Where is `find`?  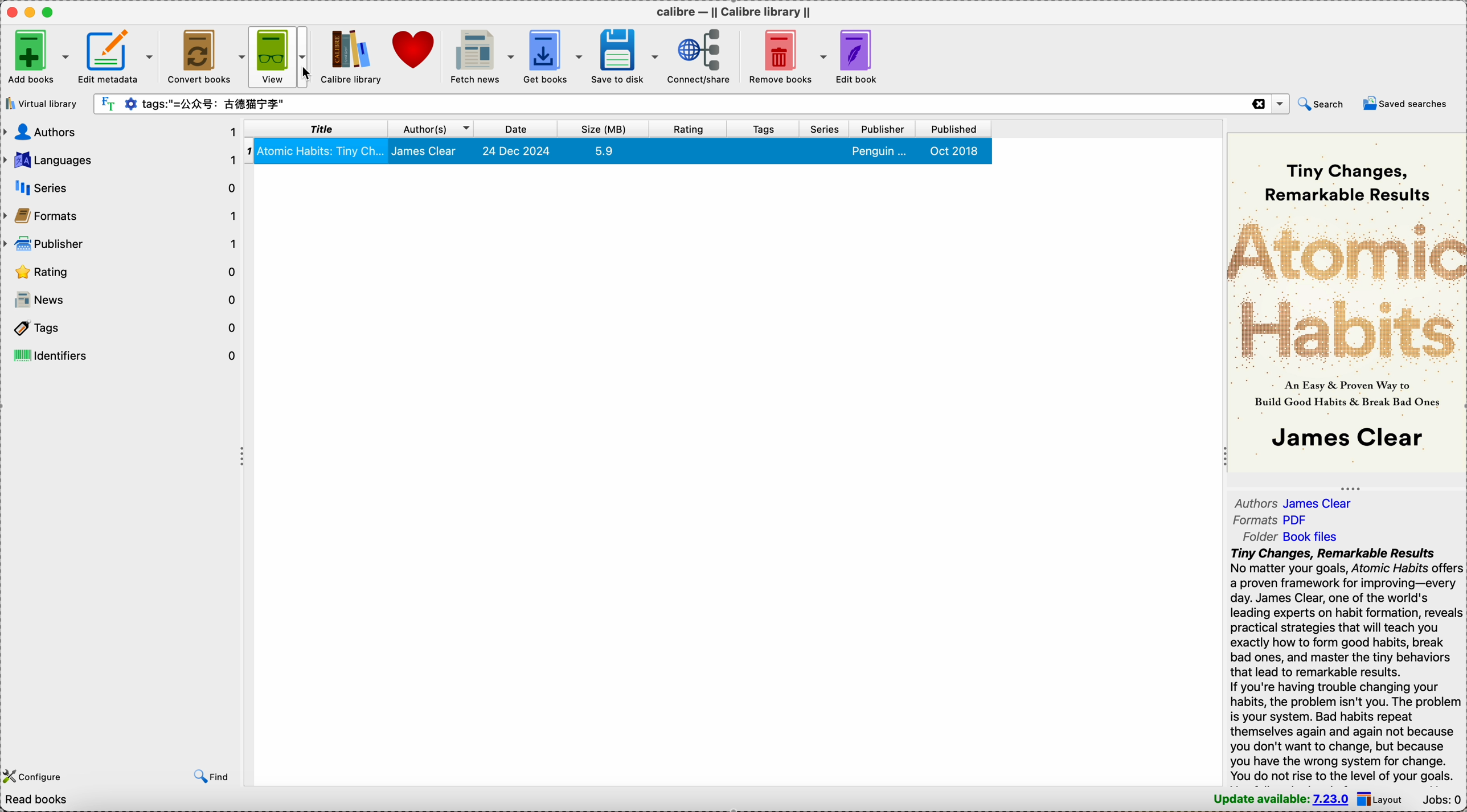 find is located at coordinates (212, 777).